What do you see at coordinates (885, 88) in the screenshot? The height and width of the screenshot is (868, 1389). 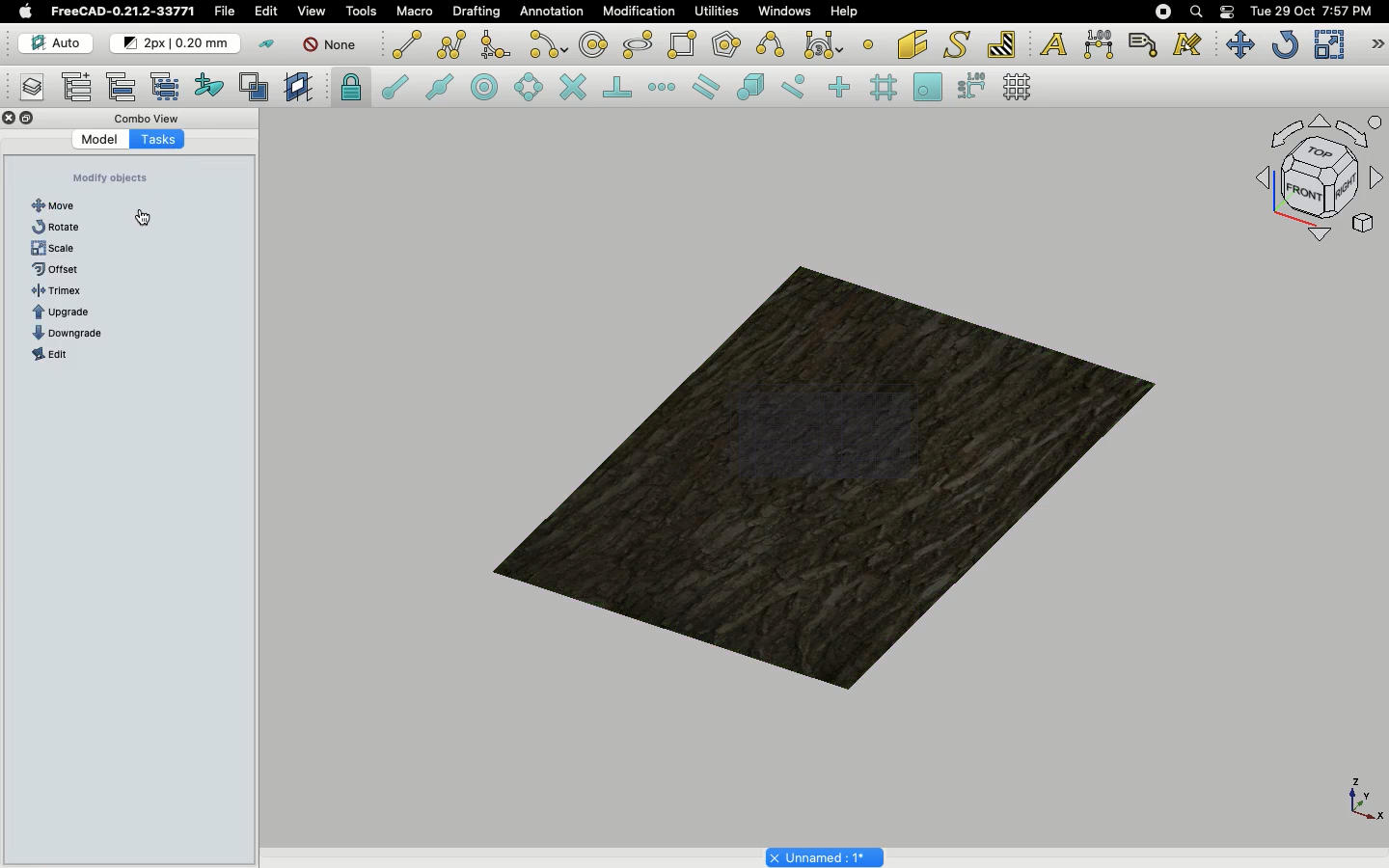 I see `Snap grid` at bounding box center [885, 88].